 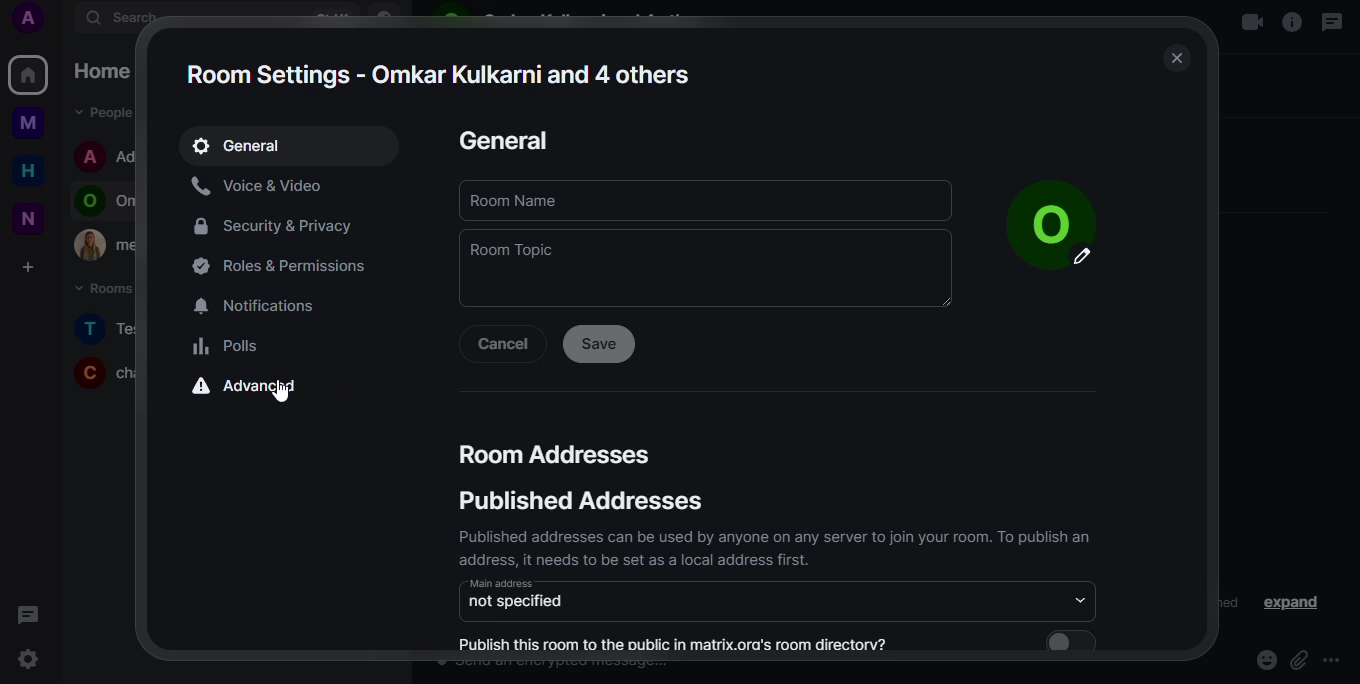 What do you see at coordinates (107, 245) in the screenshot?
I see `contact` at bounding box center [107, 245].